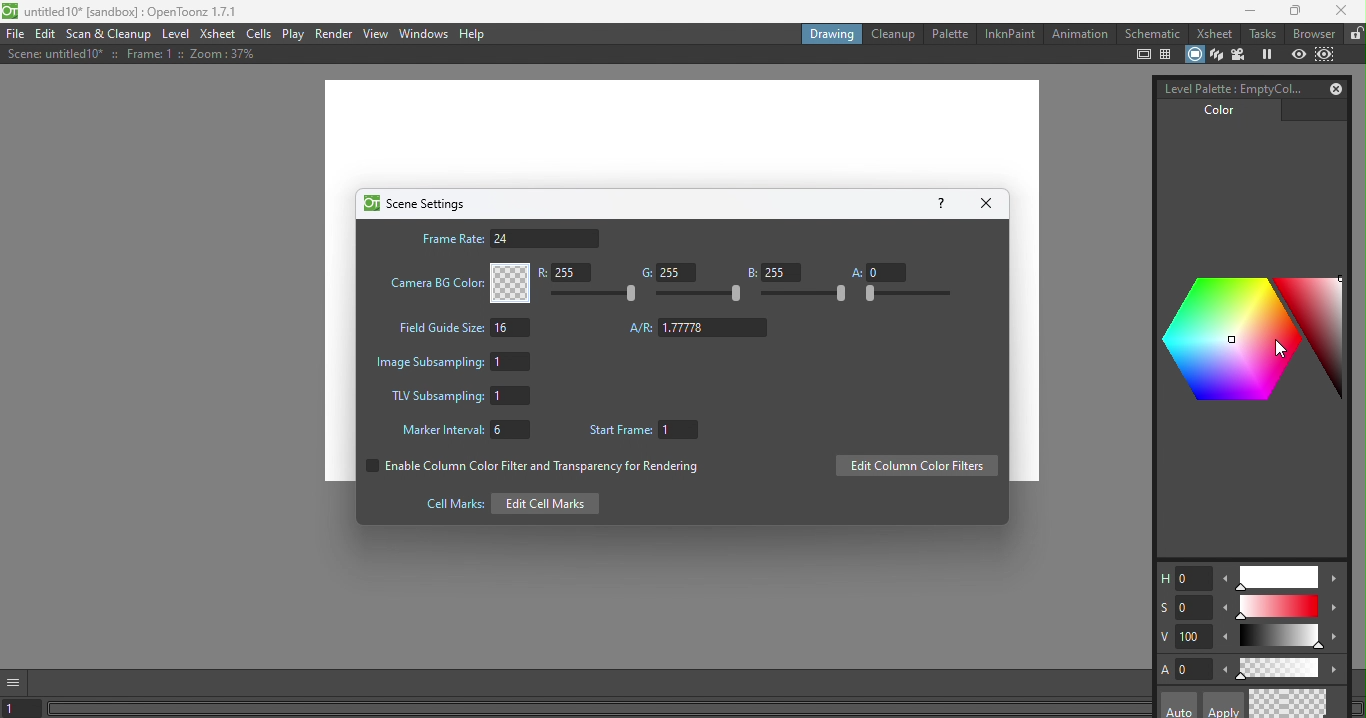 The width and height of the screenshot is (1366, 718). I want to click on Help, so click(940, 202).